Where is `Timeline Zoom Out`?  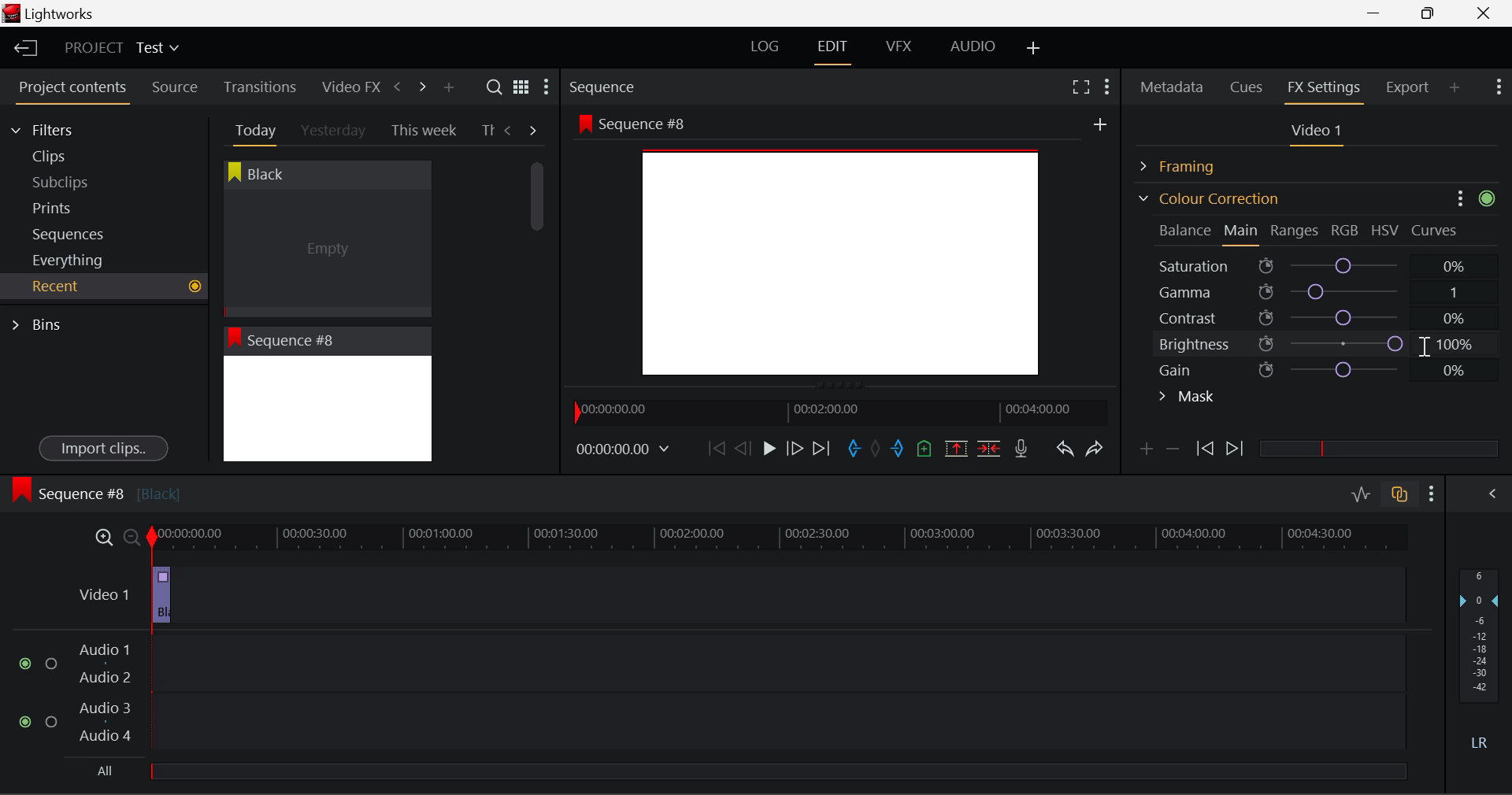 Timeline Zoom Out is located at coordinates (131, 537).